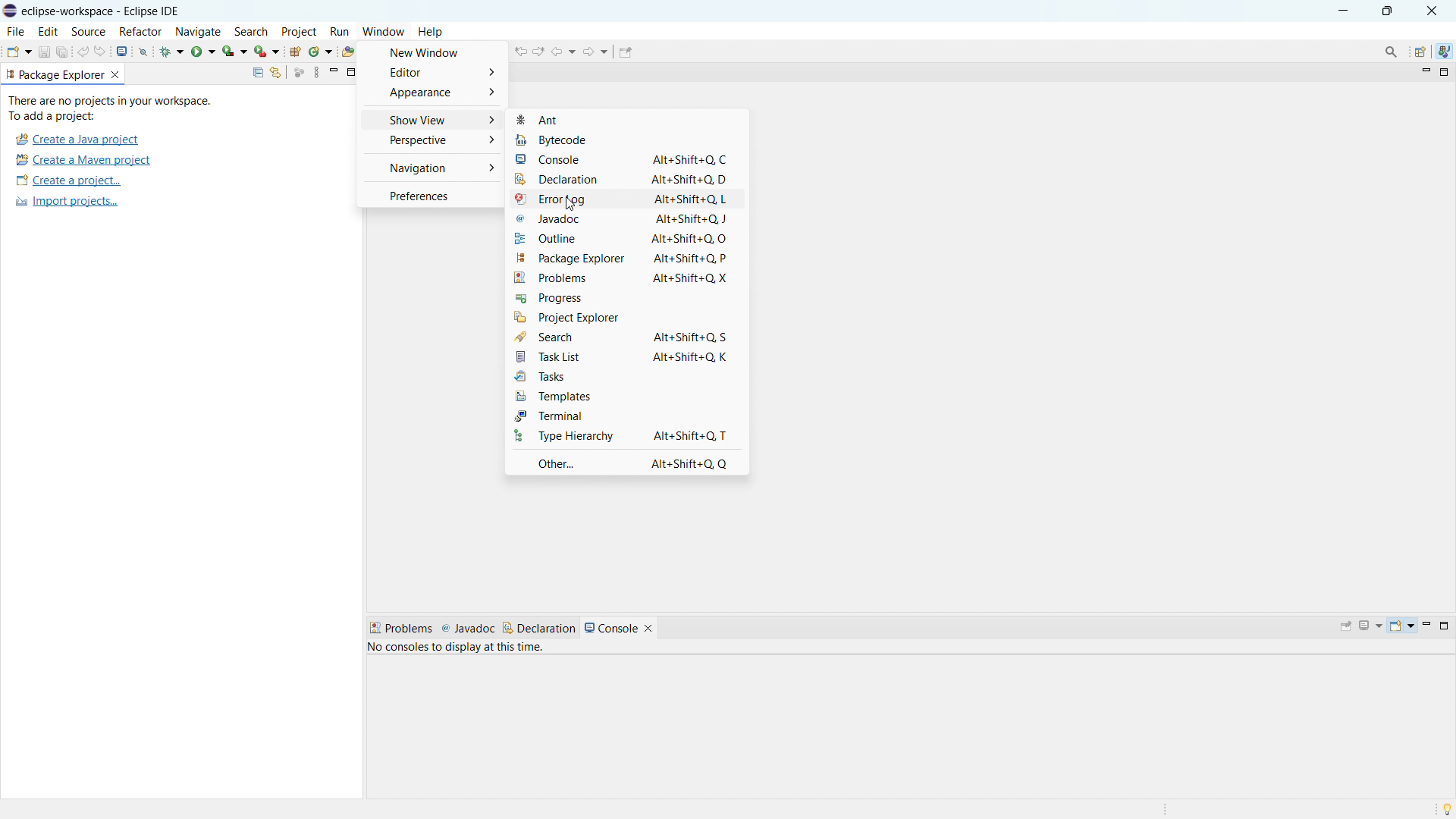  Describe the element at coordinates (617, 337) in the screenshot. I see `Search   Alt+Shift+Q, S` at that location.